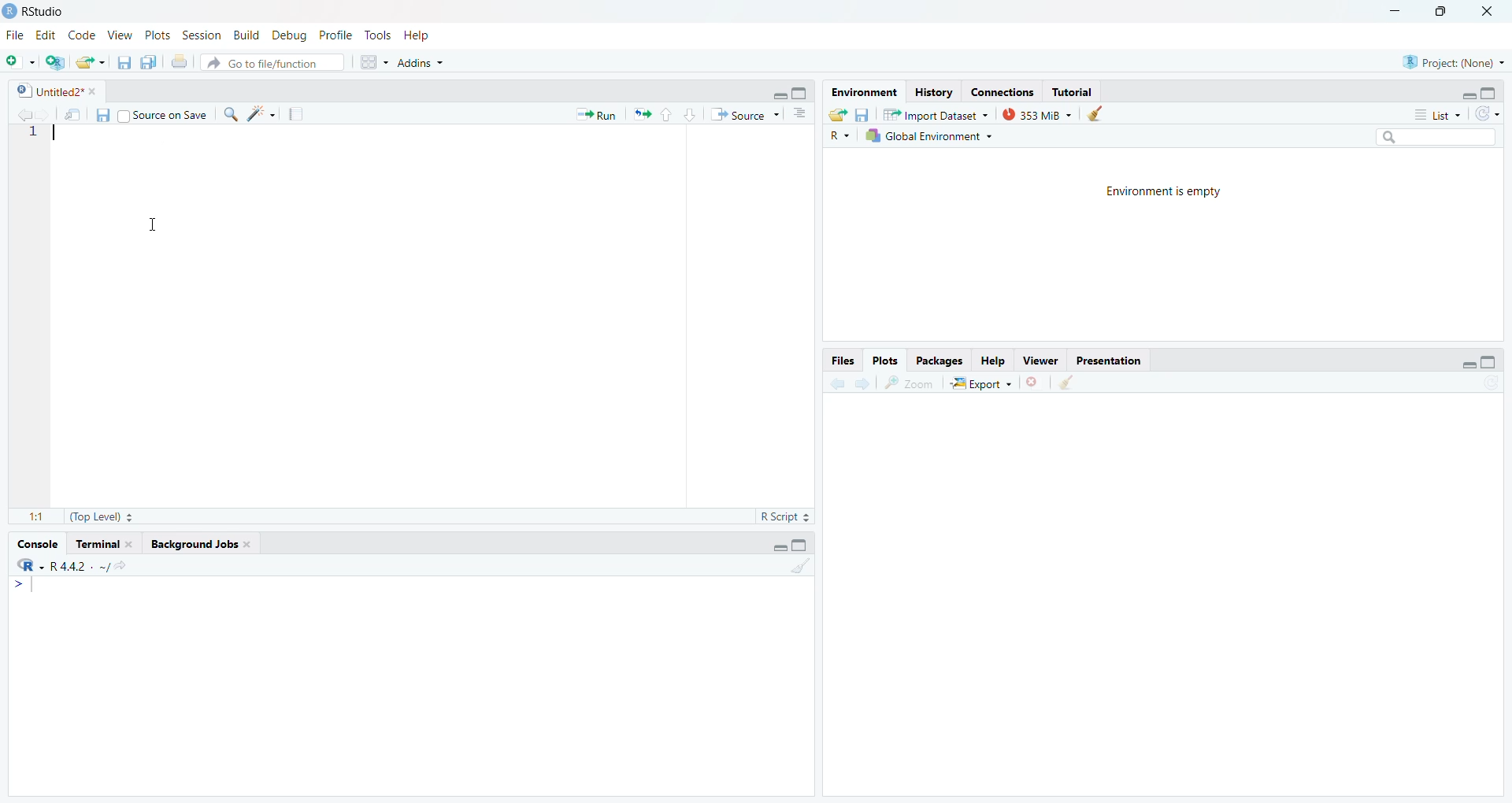 This screenshot has height=803, width=1512. What do you see at coordinates (834, 384) in the screenshot?
I see `go back` at bounding box center [834, 384].